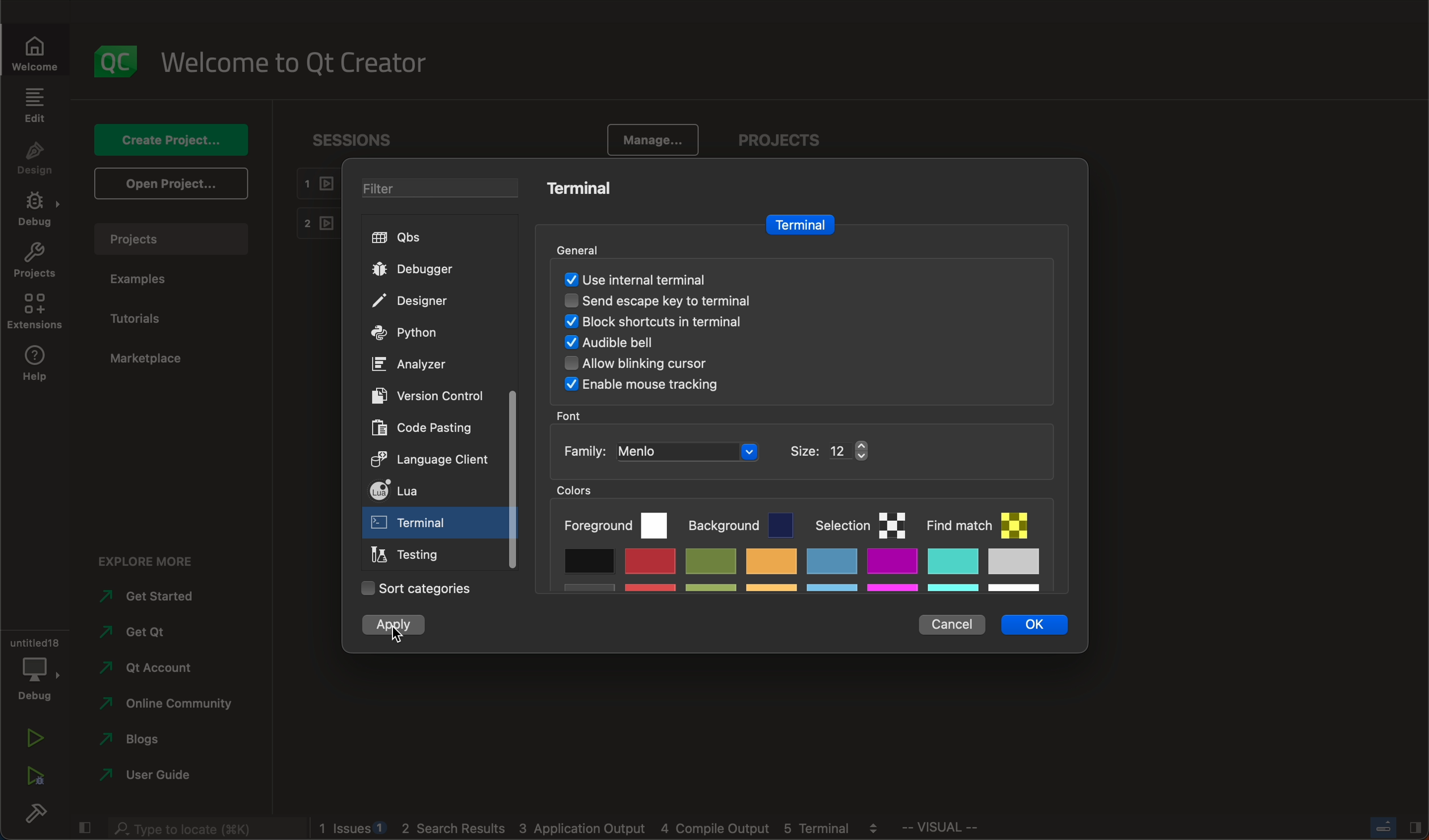 This screenshot has height=840, width=1429. Describe the element at coordinates (198, 828) in the screenshot. I see `search bar` at that location.